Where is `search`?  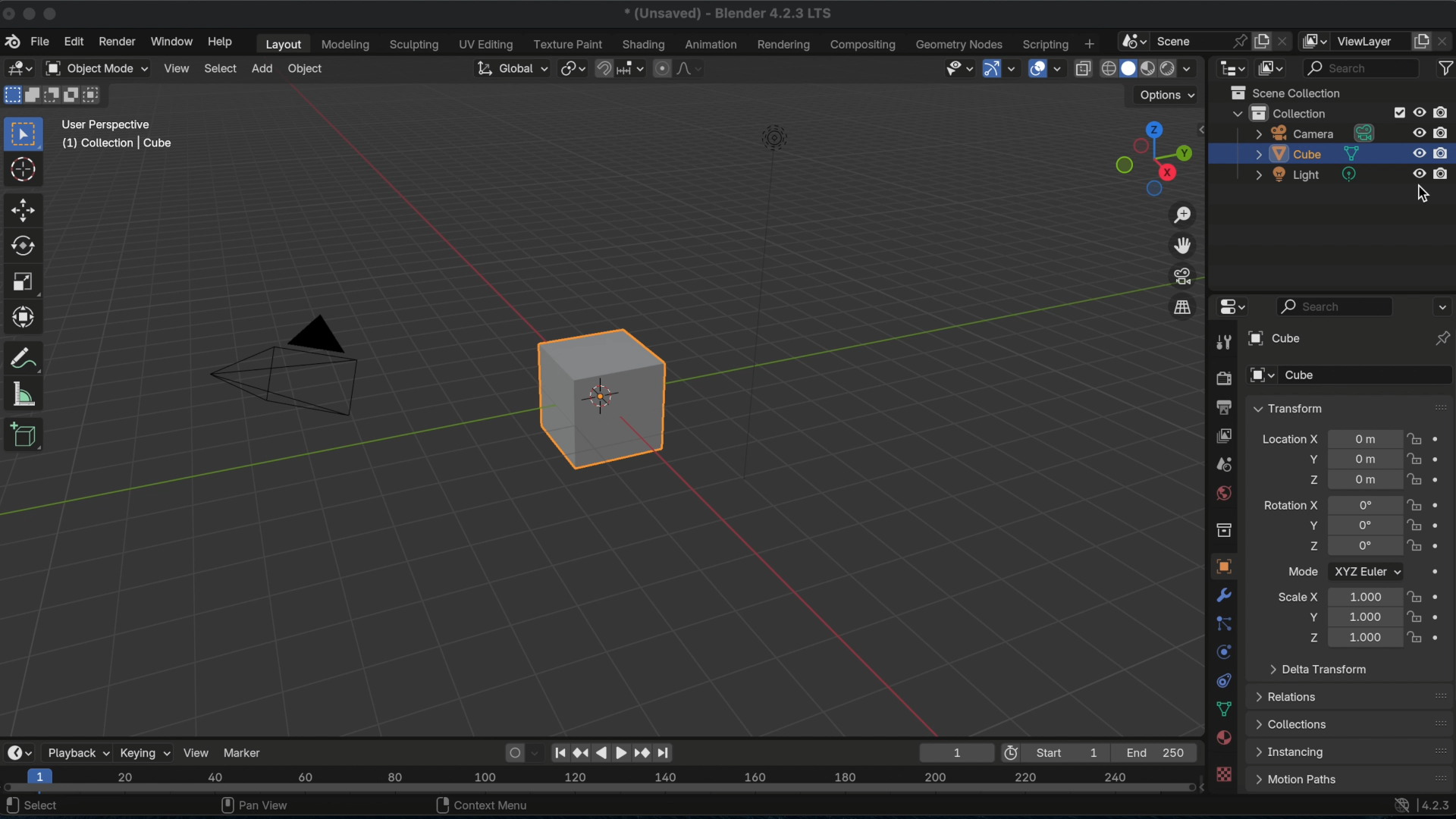
search is located at coordinates (1353, 69).